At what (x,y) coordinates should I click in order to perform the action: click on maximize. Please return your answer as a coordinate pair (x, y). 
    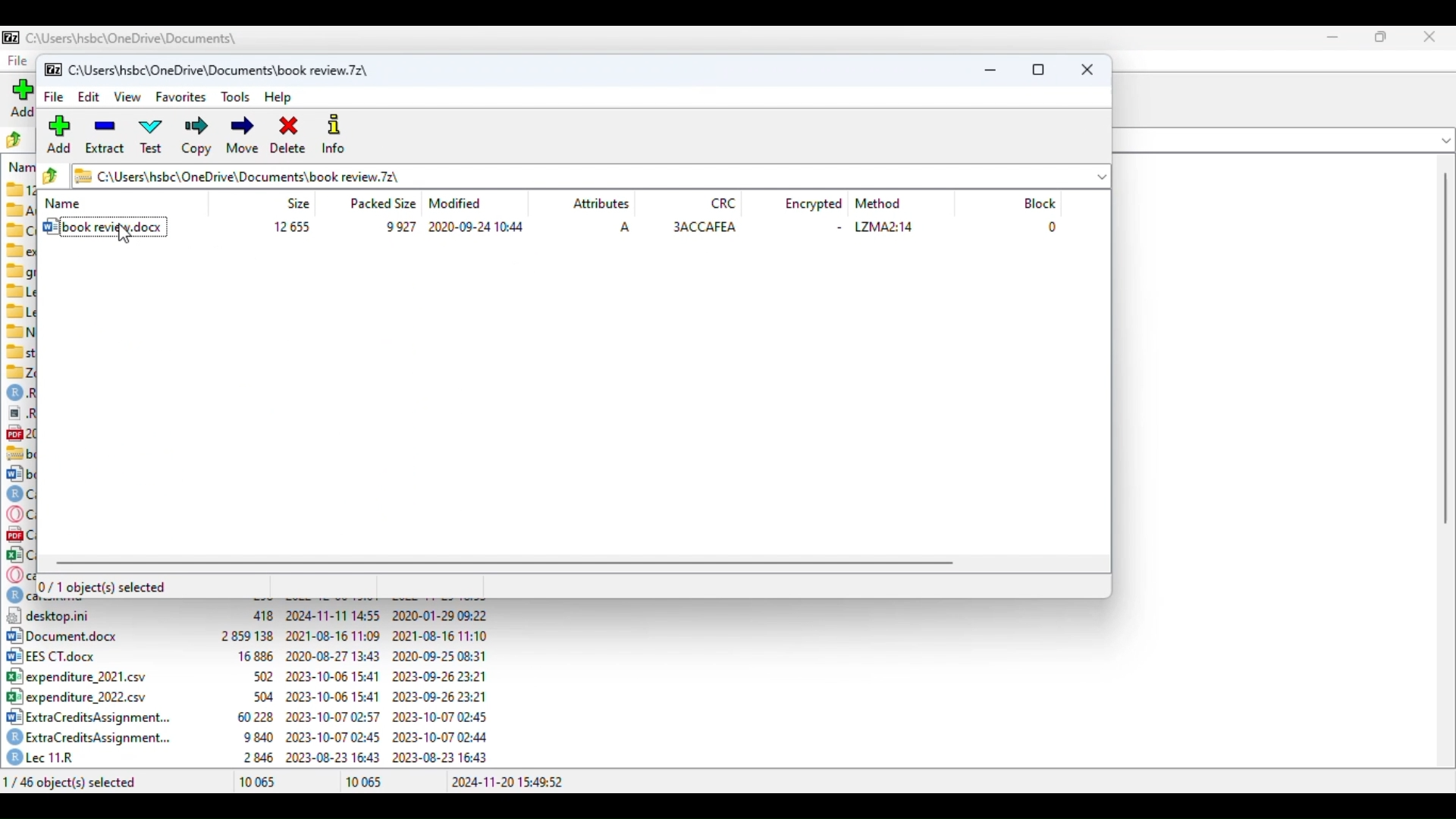
    Looking at the image, I should click on (1038, 69).